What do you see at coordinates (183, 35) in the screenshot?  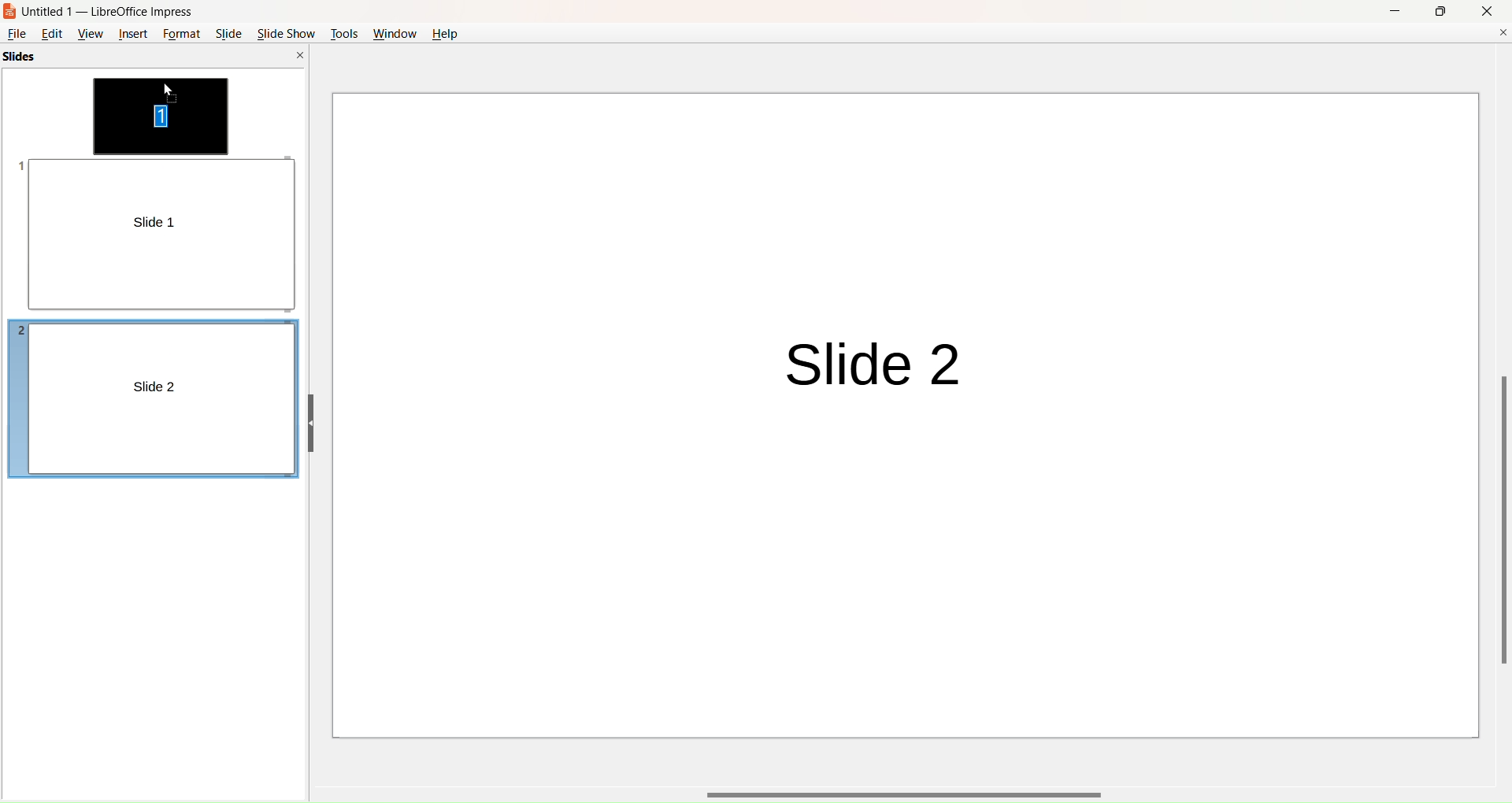 I see `format` at bounding box center [183, 35].